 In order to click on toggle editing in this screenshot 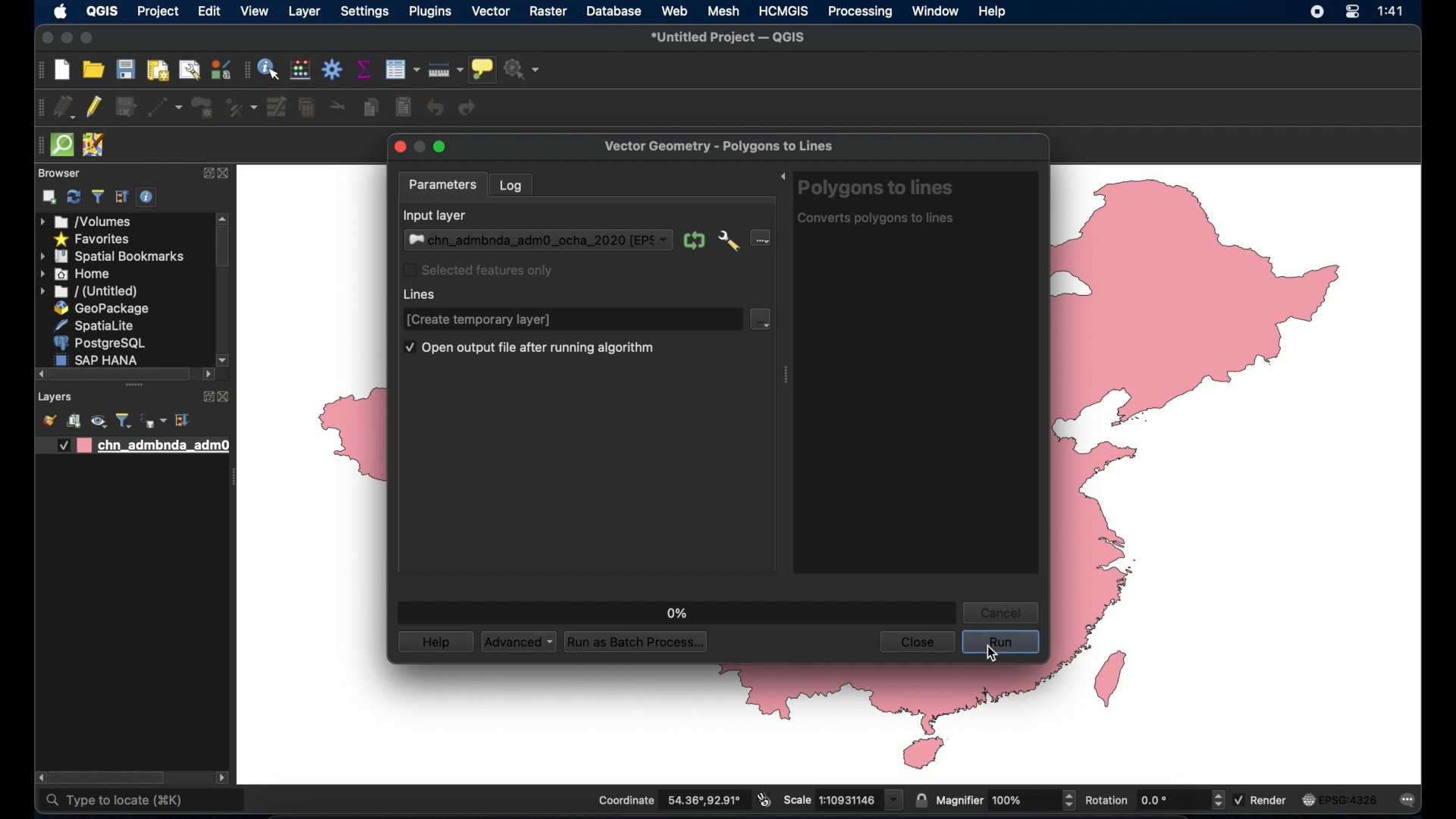, I will do `click(93, 108)`.